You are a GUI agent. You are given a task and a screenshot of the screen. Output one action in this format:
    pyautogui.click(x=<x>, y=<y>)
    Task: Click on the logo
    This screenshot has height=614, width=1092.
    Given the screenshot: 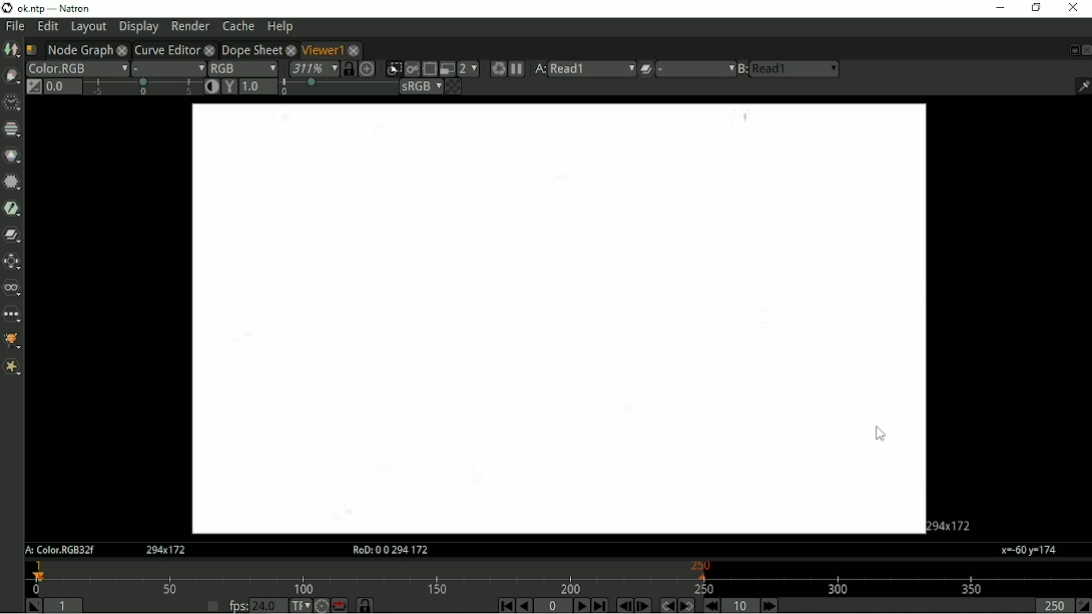 What is the action you would take?
    pyautogui.click(x=7, y=8)
    